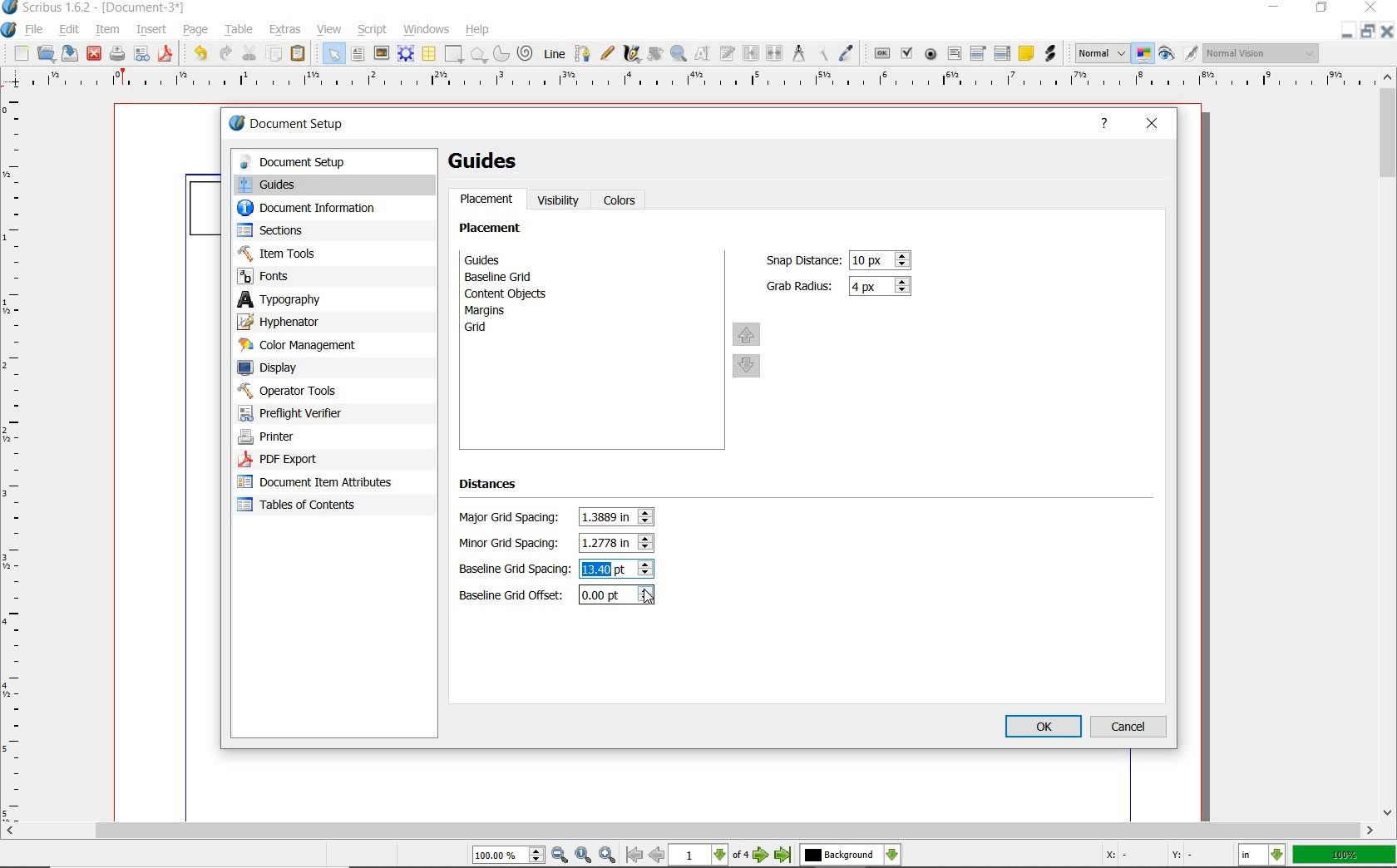 The width and height of the screenshot is (1397, 868). What do you see at coordinates (332, 162) in the screenshot?
I see `document setup` at bounding box center [332, 162].